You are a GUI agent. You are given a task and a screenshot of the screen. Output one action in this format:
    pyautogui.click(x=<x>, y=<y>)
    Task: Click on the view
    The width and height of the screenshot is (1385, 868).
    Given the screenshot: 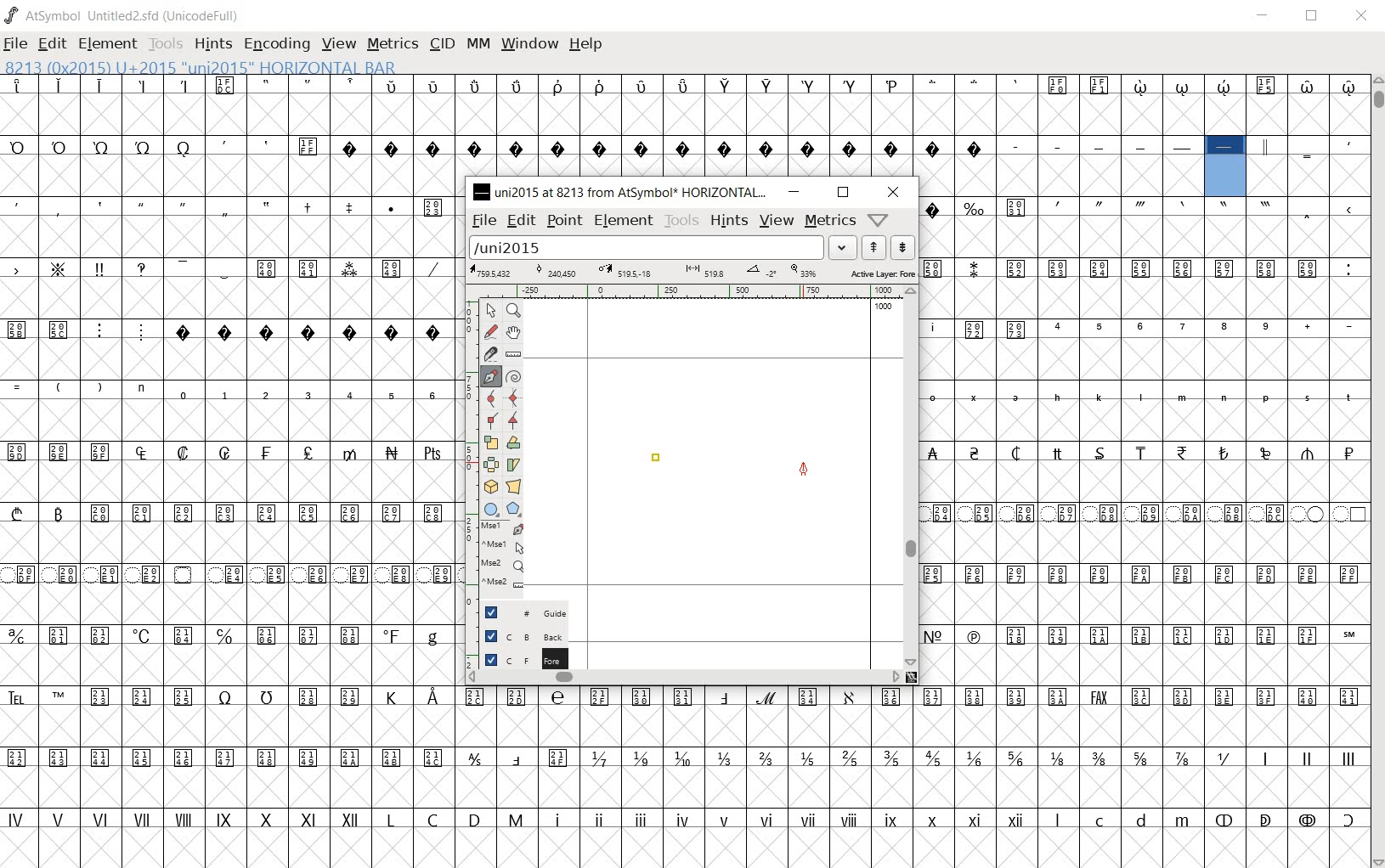 What is the action you would take?
    pyautogui.click(x=776, y=221)
    